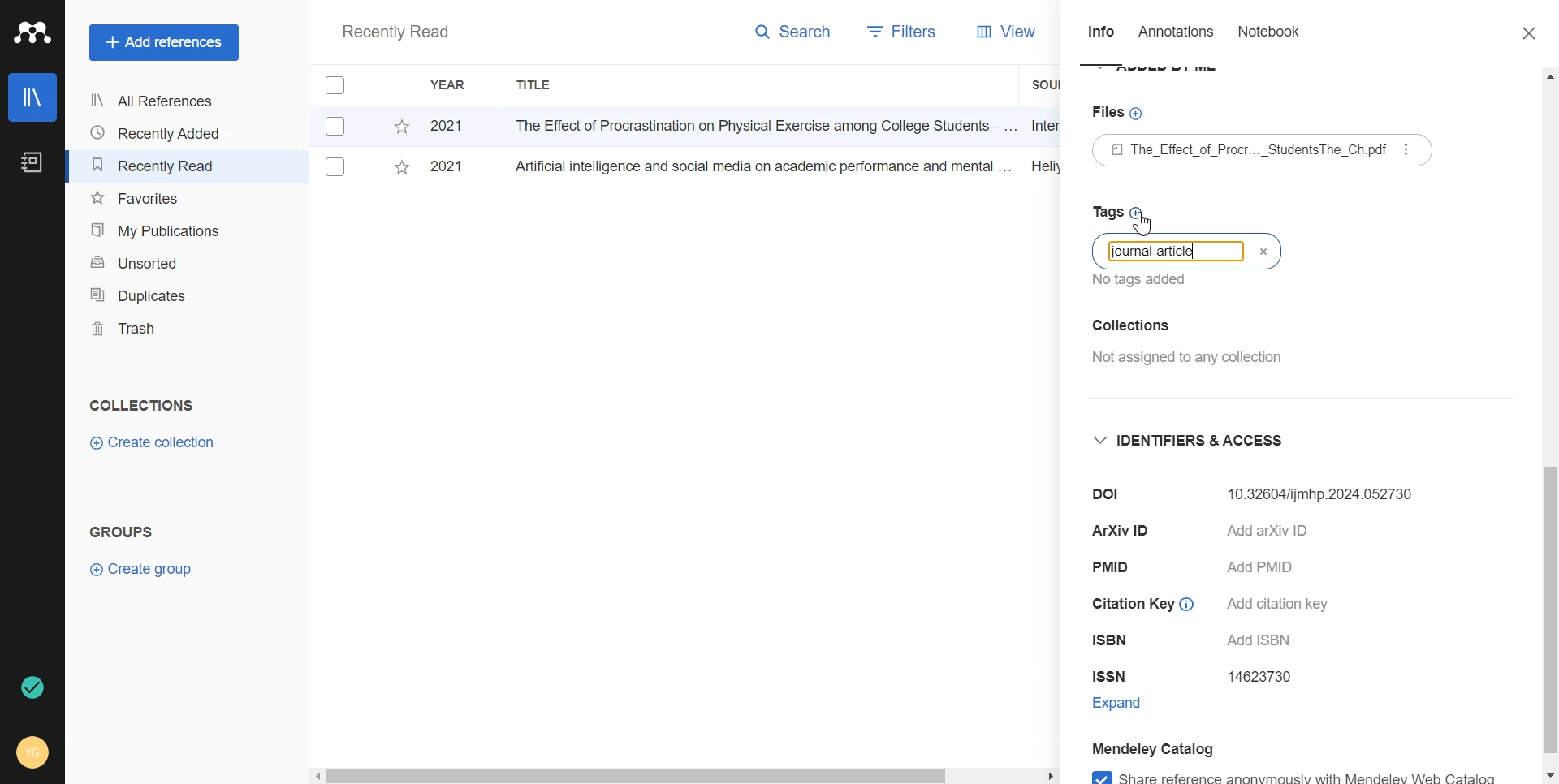  I want to click on Unsorted, so click(160, 261).